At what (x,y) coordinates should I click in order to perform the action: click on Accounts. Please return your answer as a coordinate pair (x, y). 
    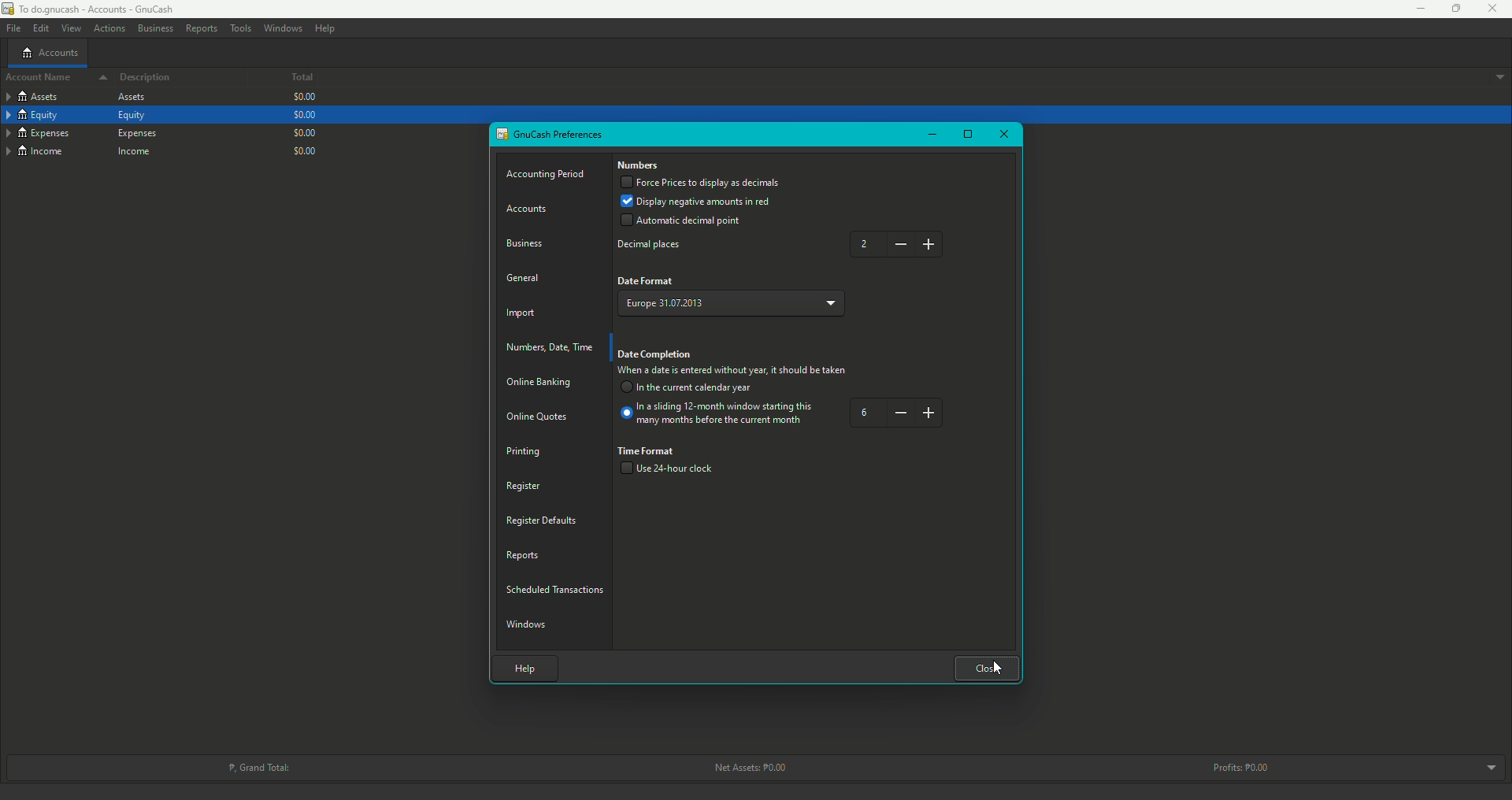
    Looking at the image, I should click on (50, 52).